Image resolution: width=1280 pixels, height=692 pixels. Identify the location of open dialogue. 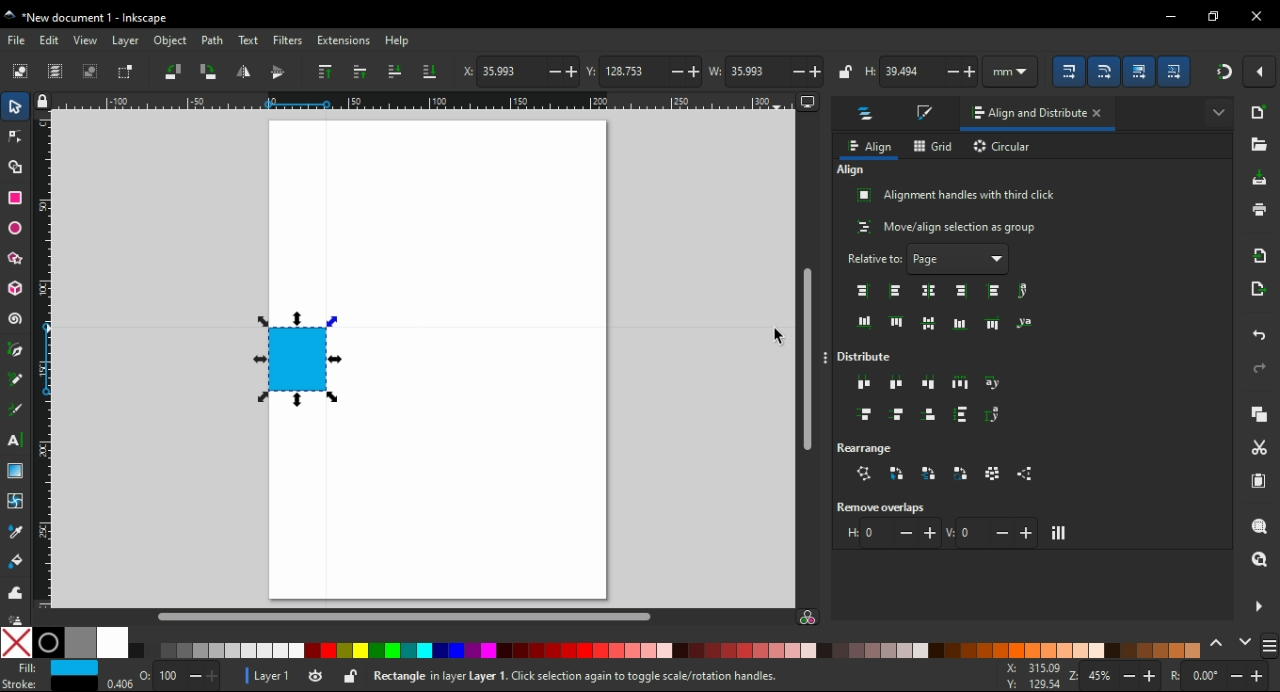
(1256, 146).